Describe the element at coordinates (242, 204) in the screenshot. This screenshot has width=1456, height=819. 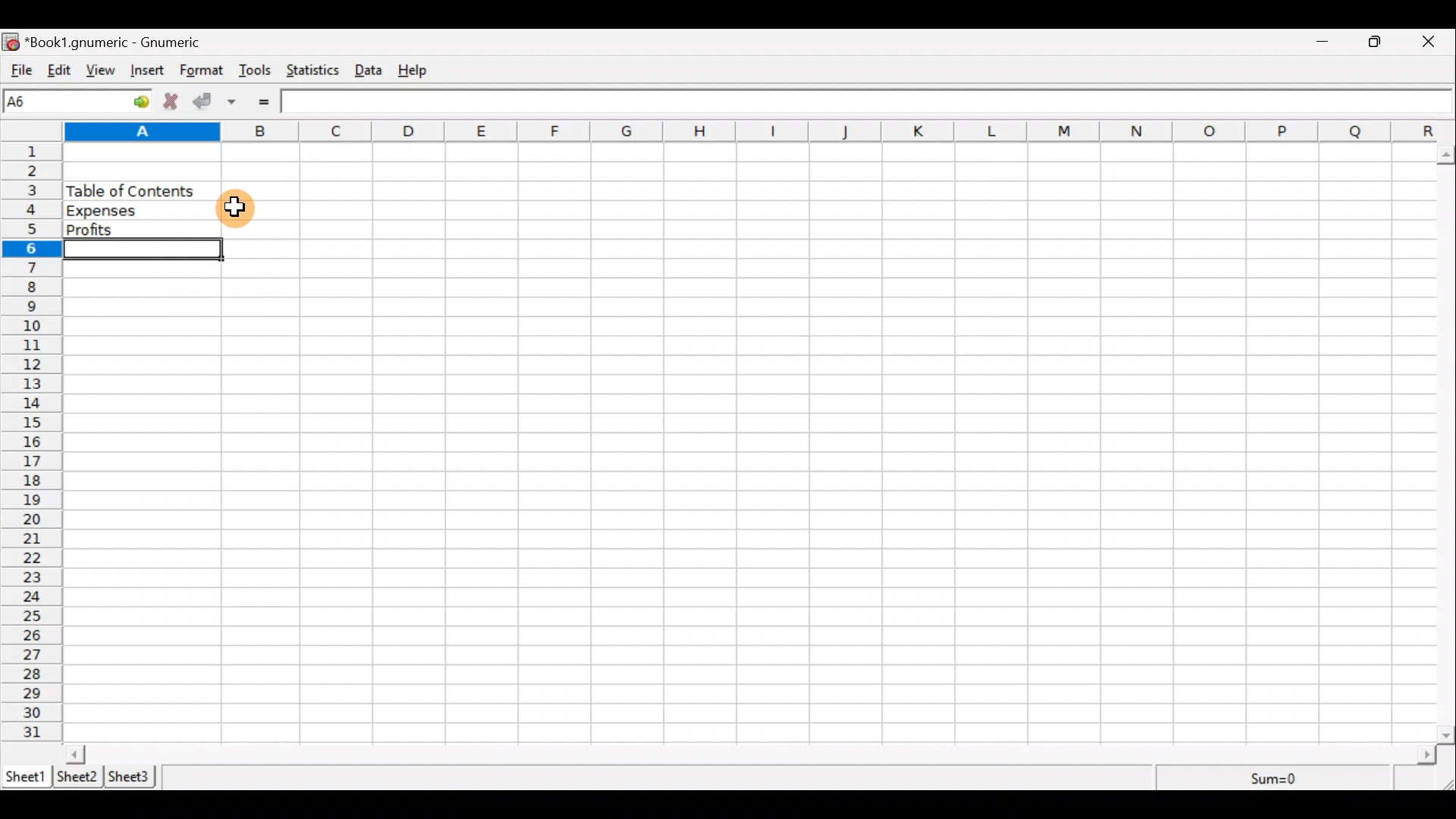
I see `Cursor hovering on cell B4` at that location.